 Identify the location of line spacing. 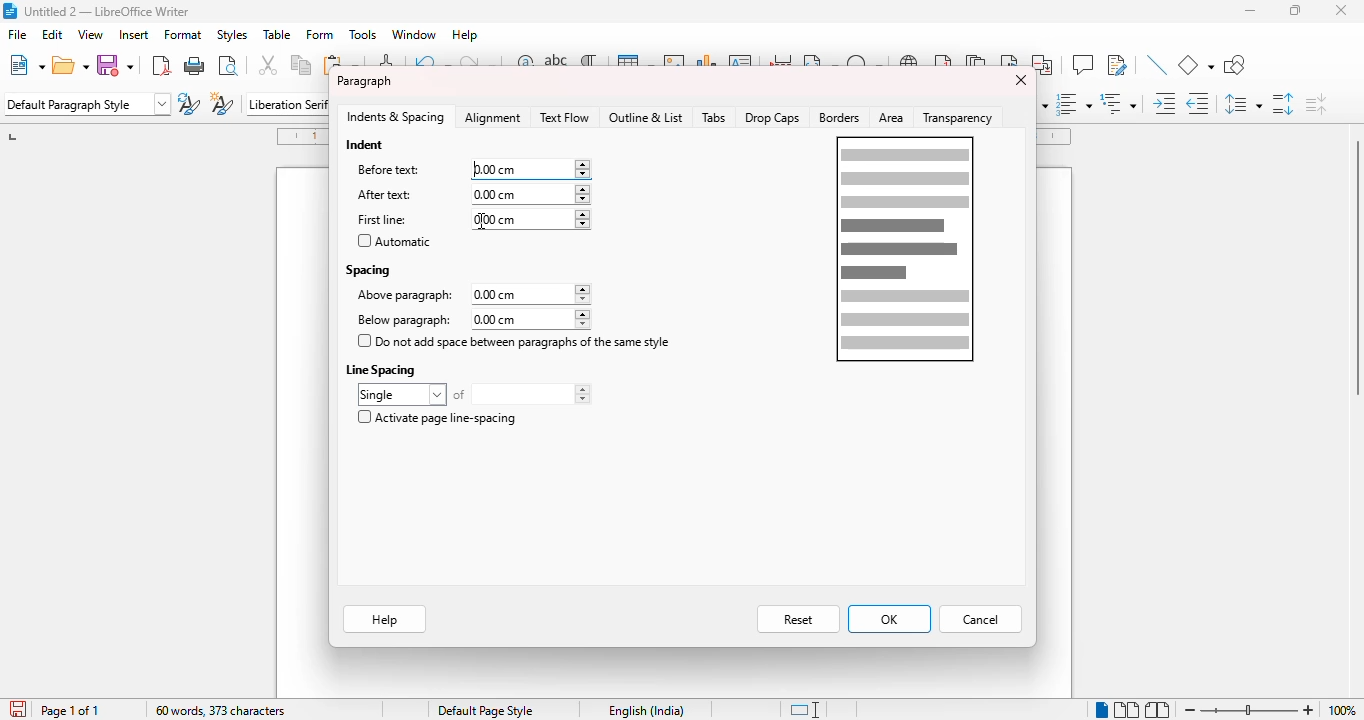
(383, 369).